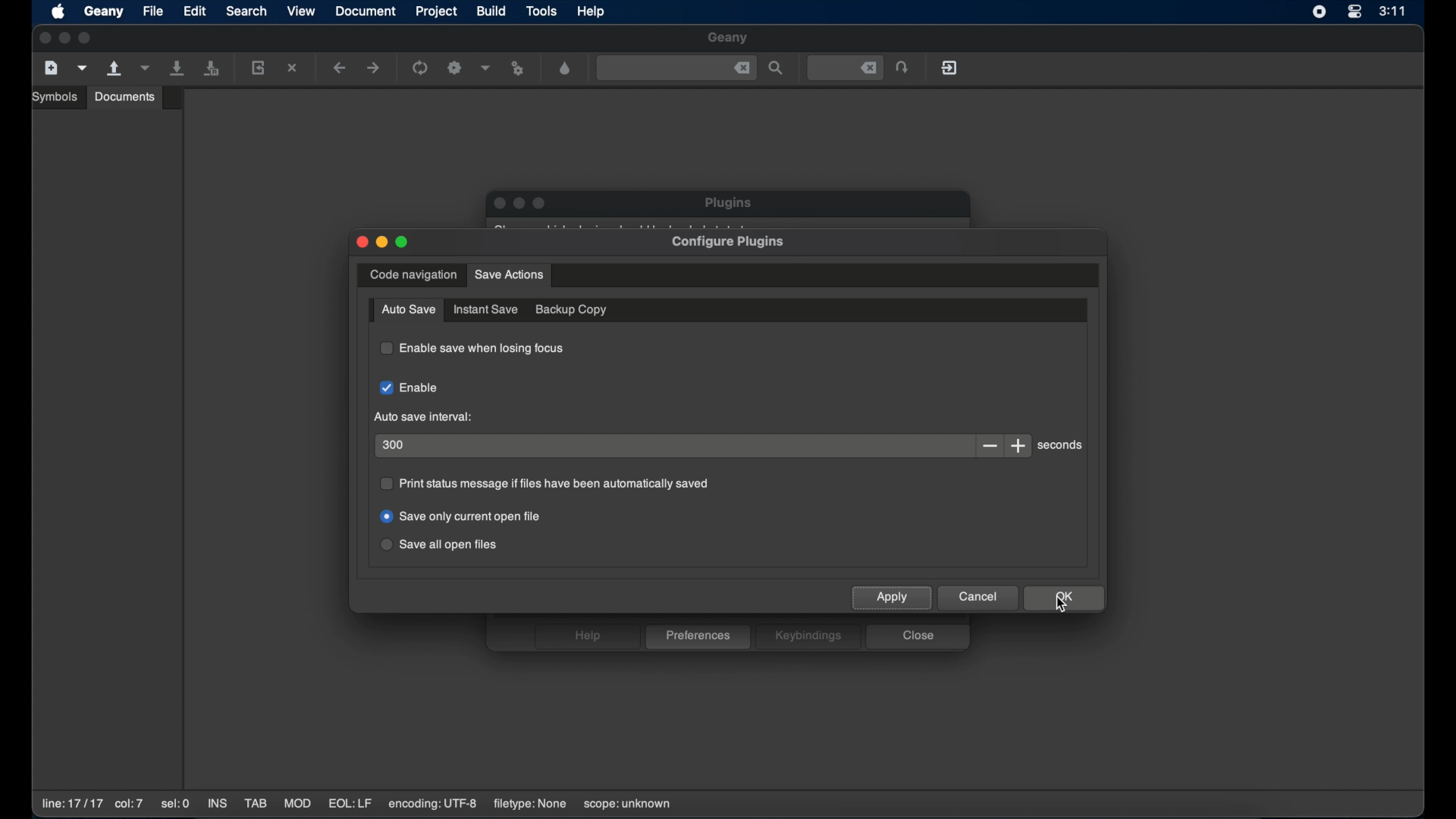 Image resolution: width=1456 pixels, height=819 pixels. What do you see at coordinates (381, 243) in the screenshot?
I see `minimize` at bounding box center [381, 243].